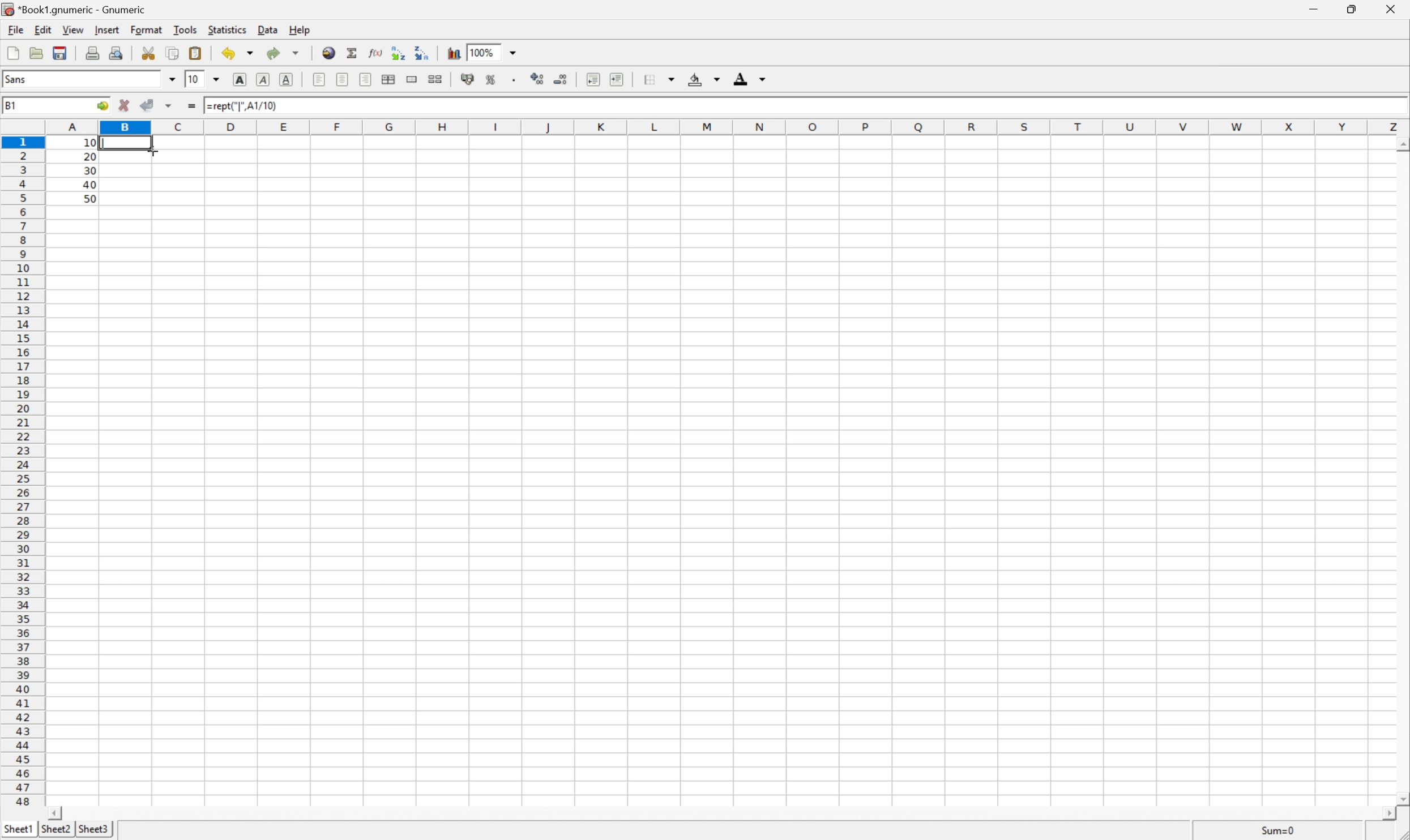  I want to click on Set the format of the selected cells to include a thousands separator, so click(510, 80).